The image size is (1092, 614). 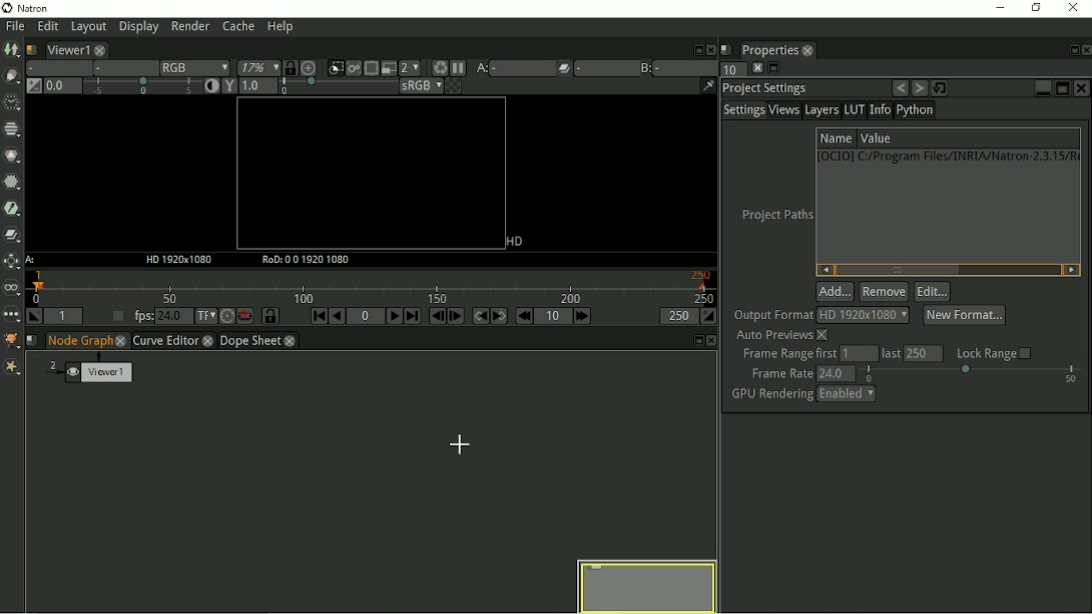 I want to click on Preview, so click(x=648, y=585).